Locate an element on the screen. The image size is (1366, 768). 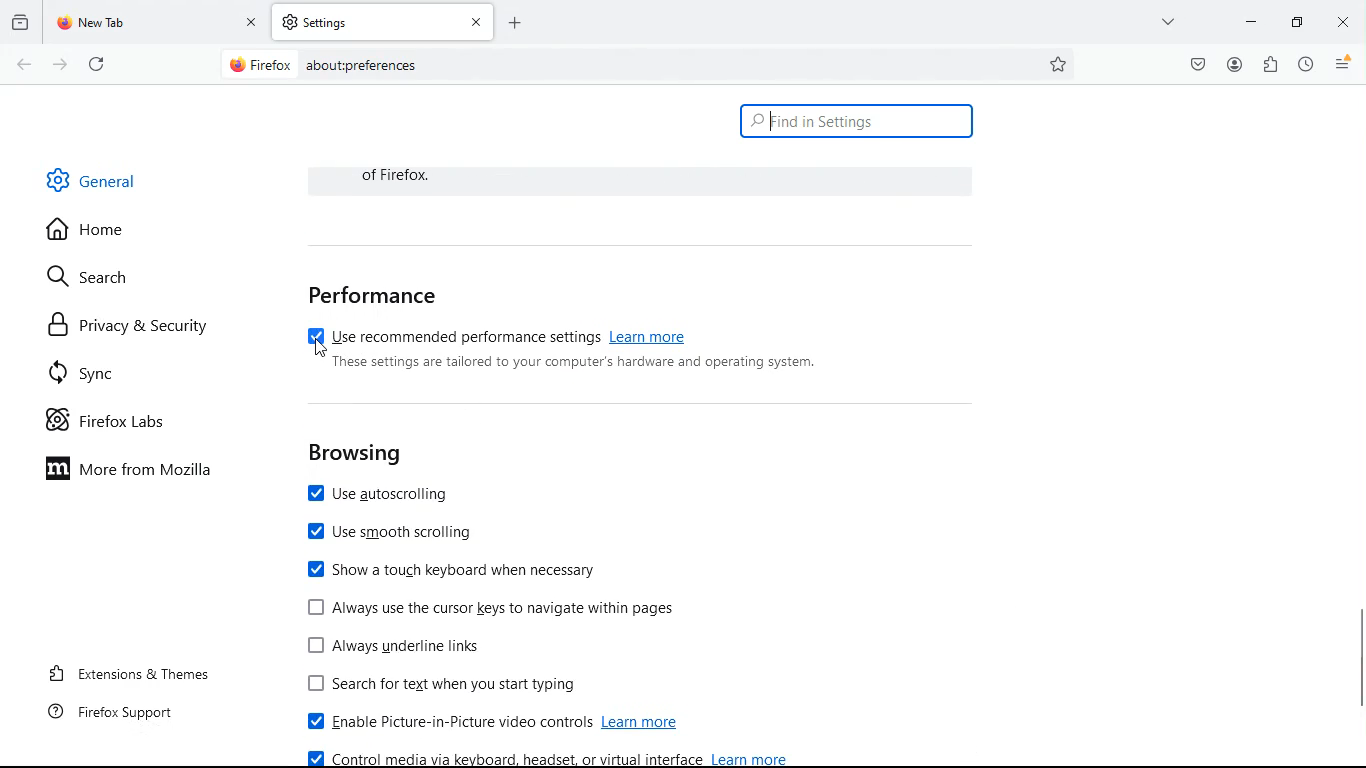
search for text when you start typing is located at coordinates (453, 685).